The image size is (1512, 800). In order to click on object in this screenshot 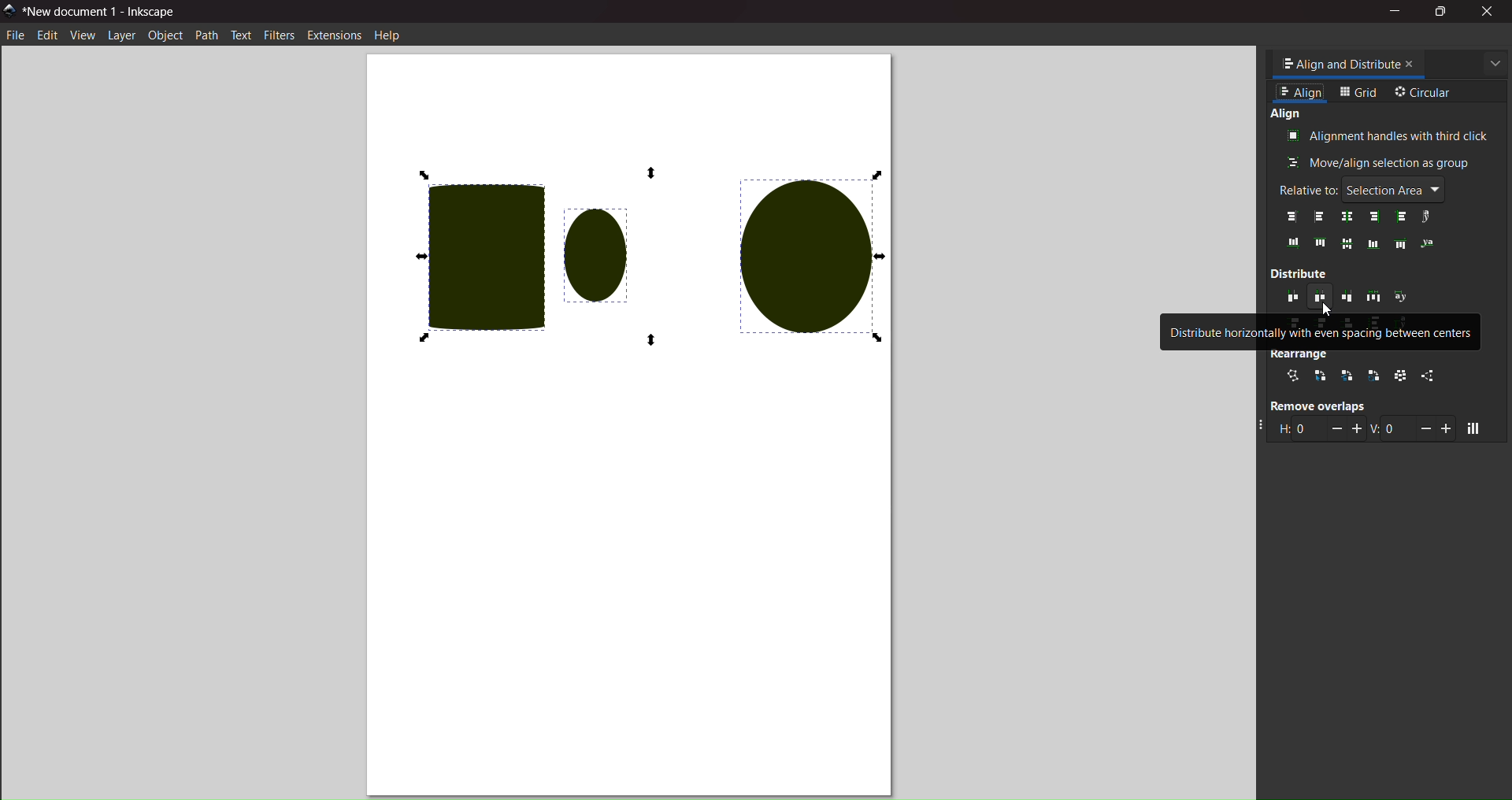, I will do `click(165, 35)`.